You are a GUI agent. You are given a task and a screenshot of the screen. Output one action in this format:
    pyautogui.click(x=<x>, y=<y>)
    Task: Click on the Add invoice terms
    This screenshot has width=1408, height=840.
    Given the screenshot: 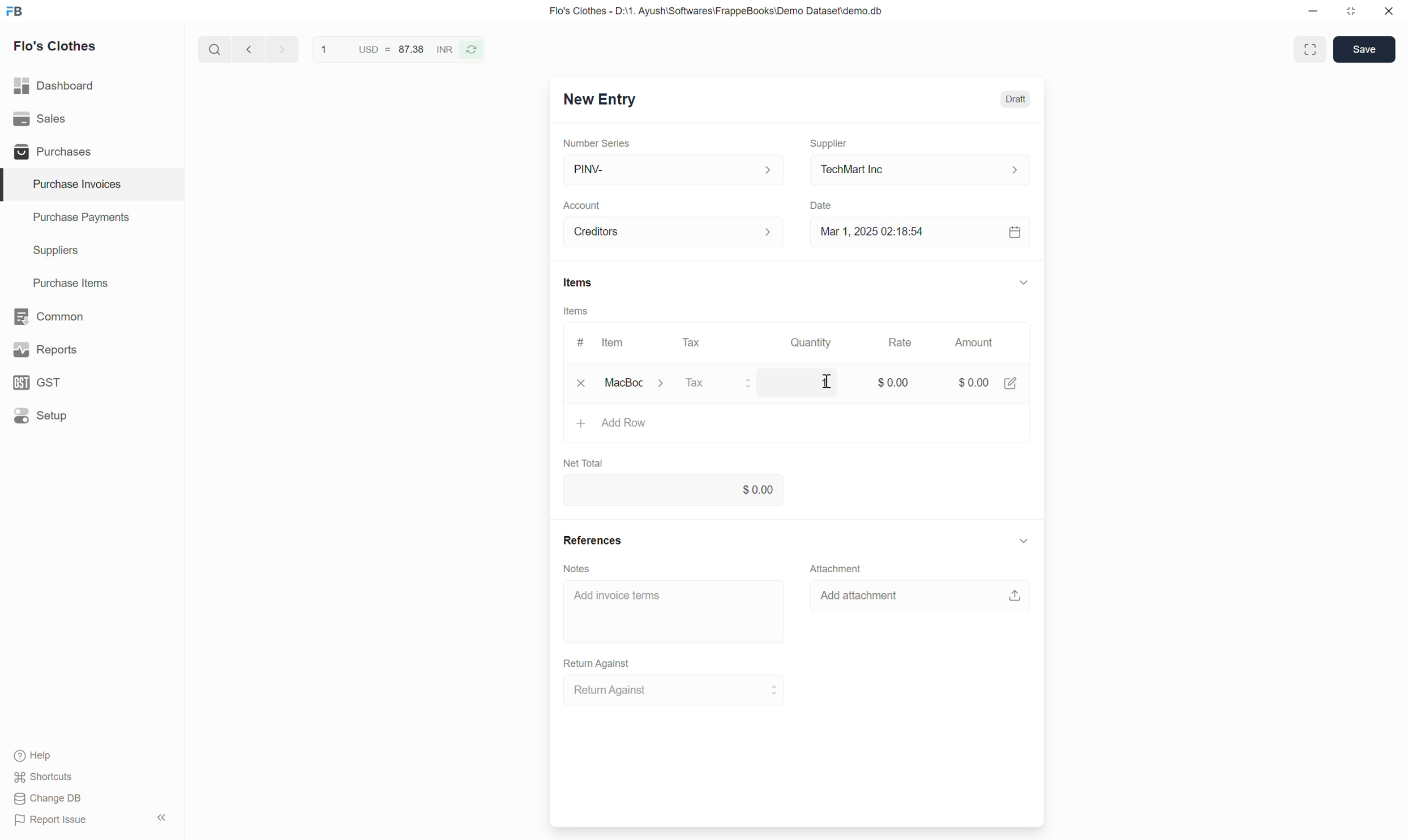 What is the action you would take?
    pyautogui.click(x=675, y=611)
    